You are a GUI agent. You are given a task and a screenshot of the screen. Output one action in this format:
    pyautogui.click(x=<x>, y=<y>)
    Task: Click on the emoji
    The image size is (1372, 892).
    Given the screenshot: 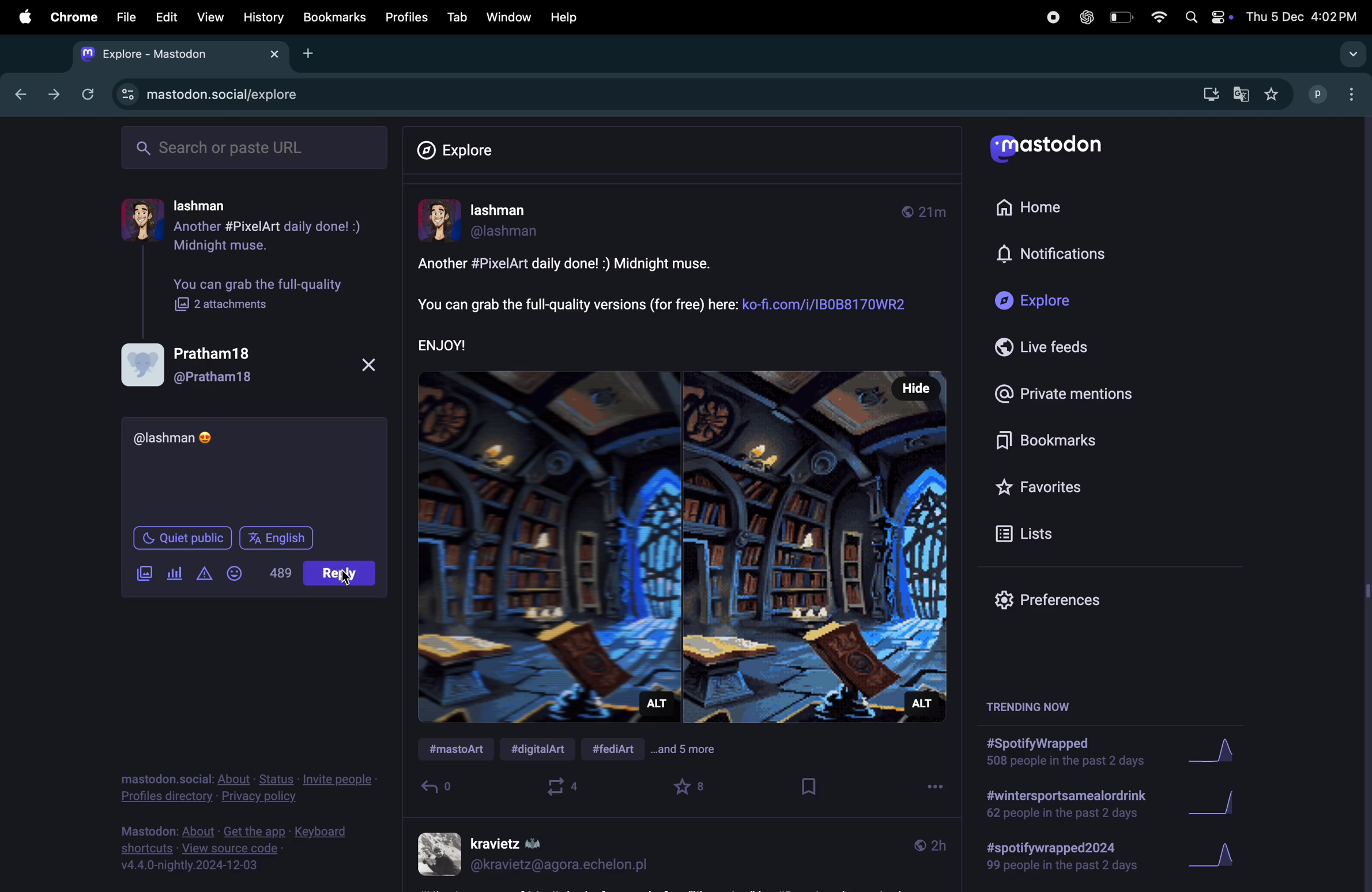 What is the action you would take?
    pyautogui.click(x=239, y=575)
    